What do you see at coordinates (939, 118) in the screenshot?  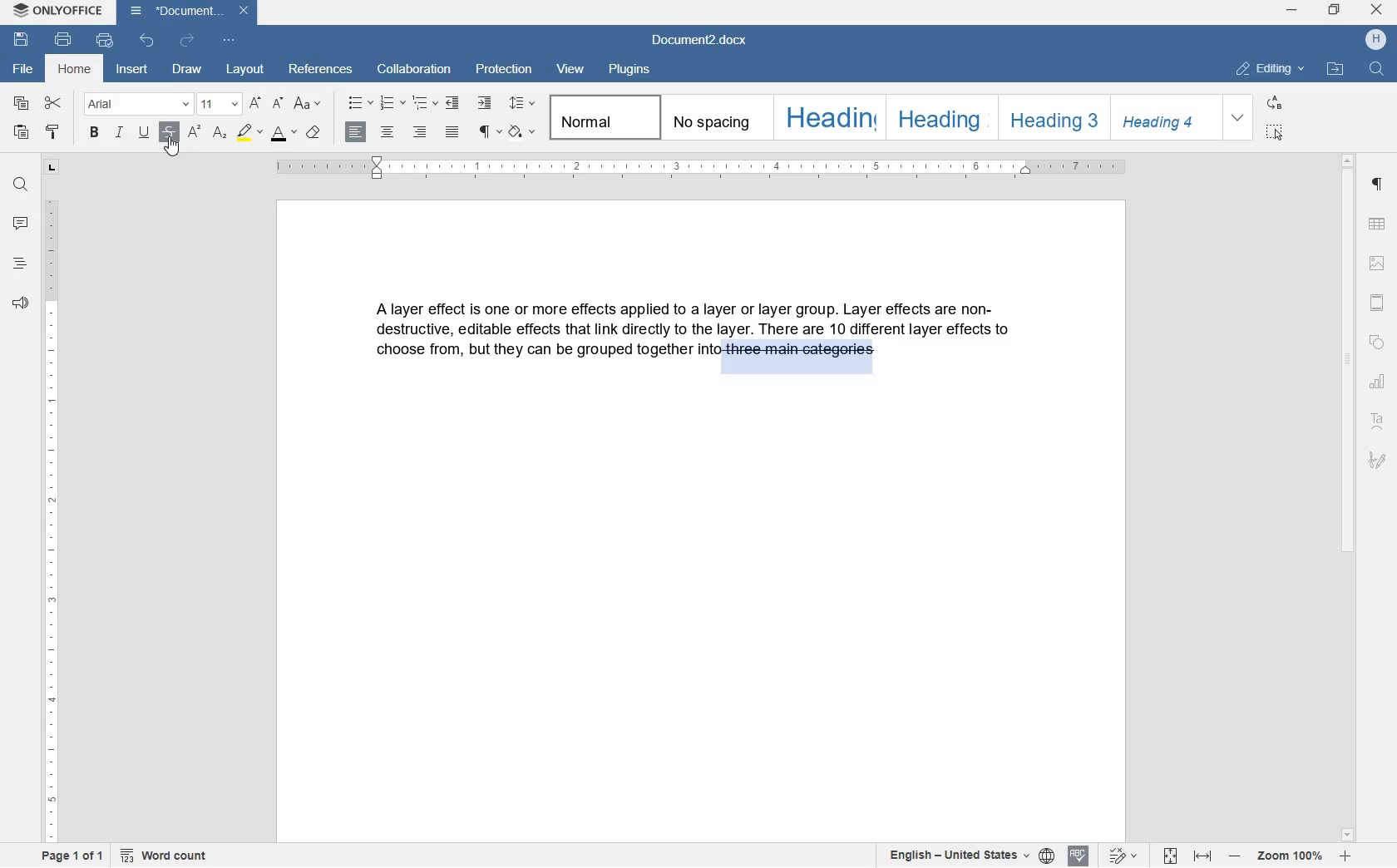 I see `heading 2` at bounding box center [939, 118].